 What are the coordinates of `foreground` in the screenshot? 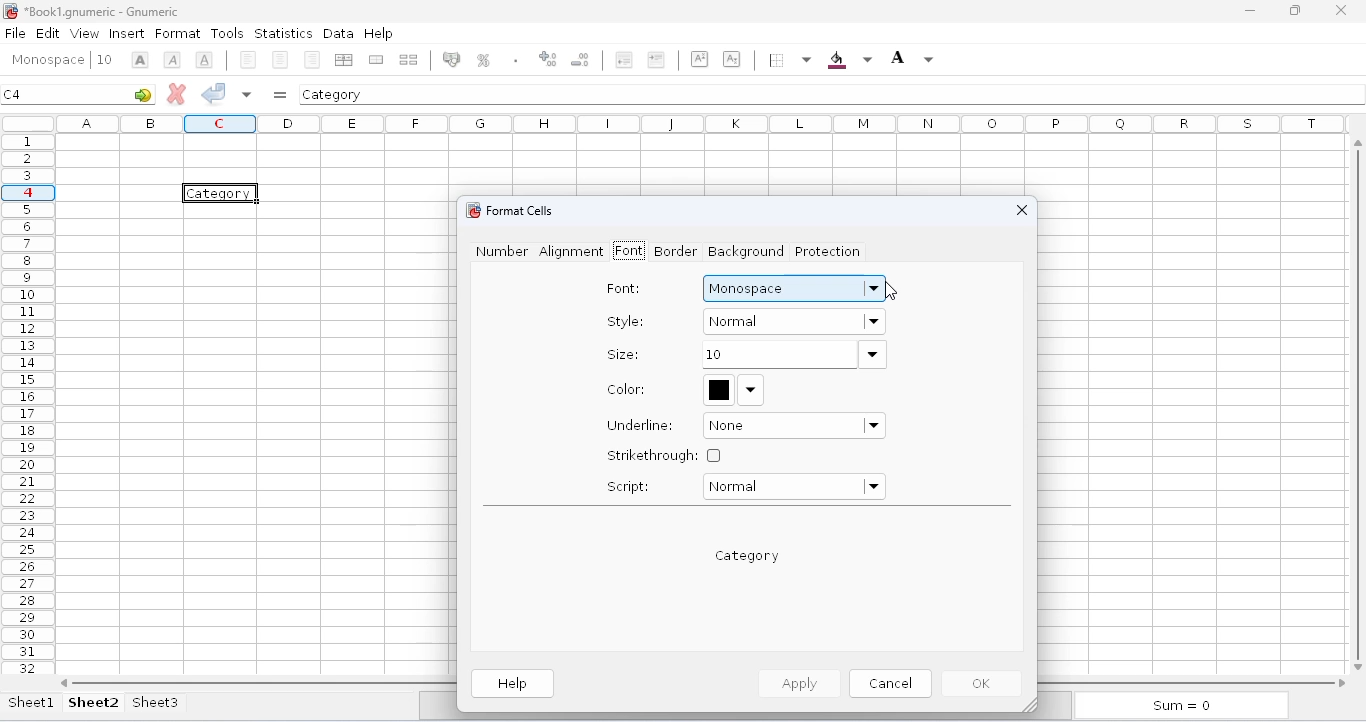 It's located at (912, 58).